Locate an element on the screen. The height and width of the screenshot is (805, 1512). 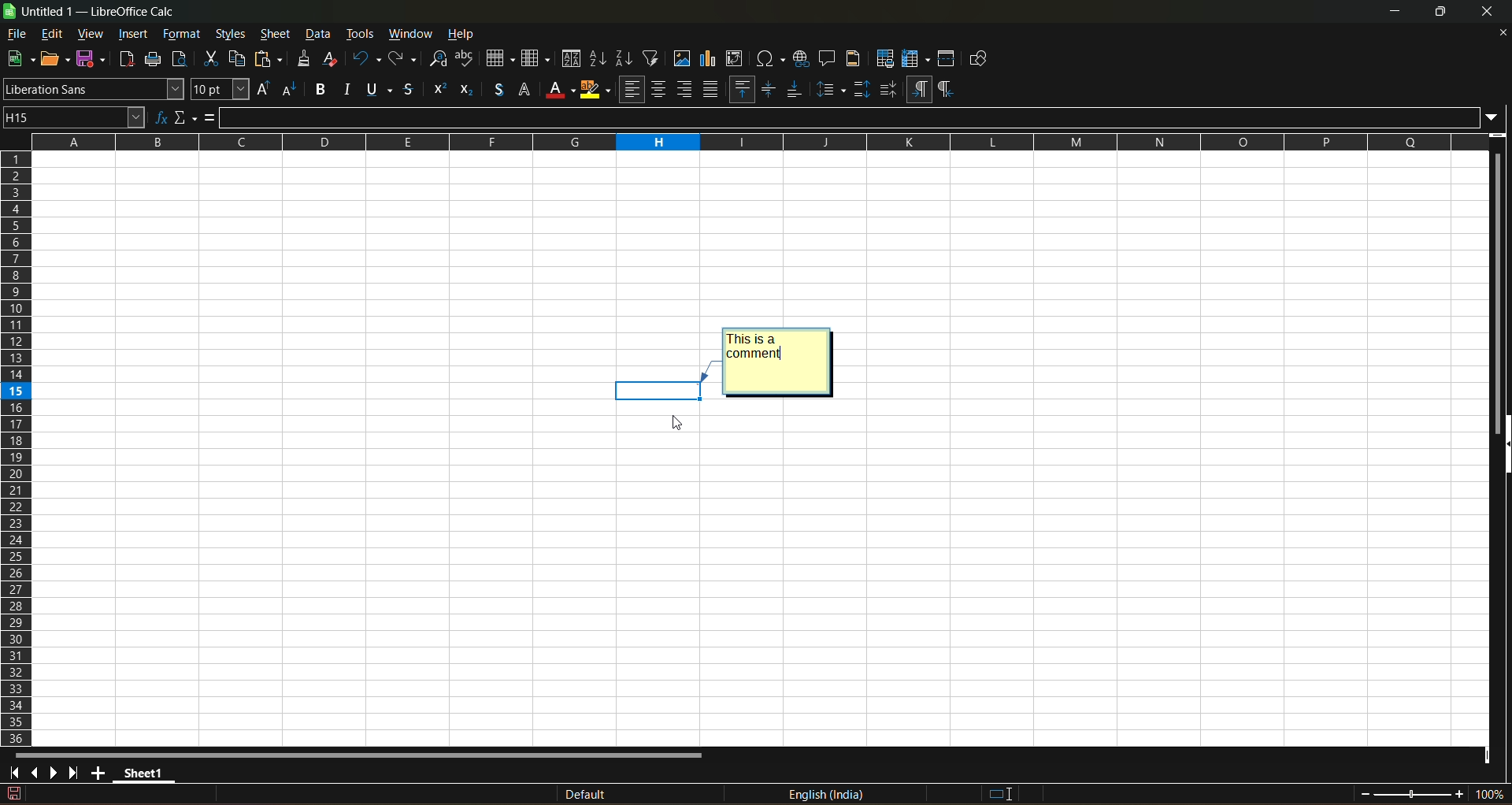
undo is located at coordinates (368, 60).